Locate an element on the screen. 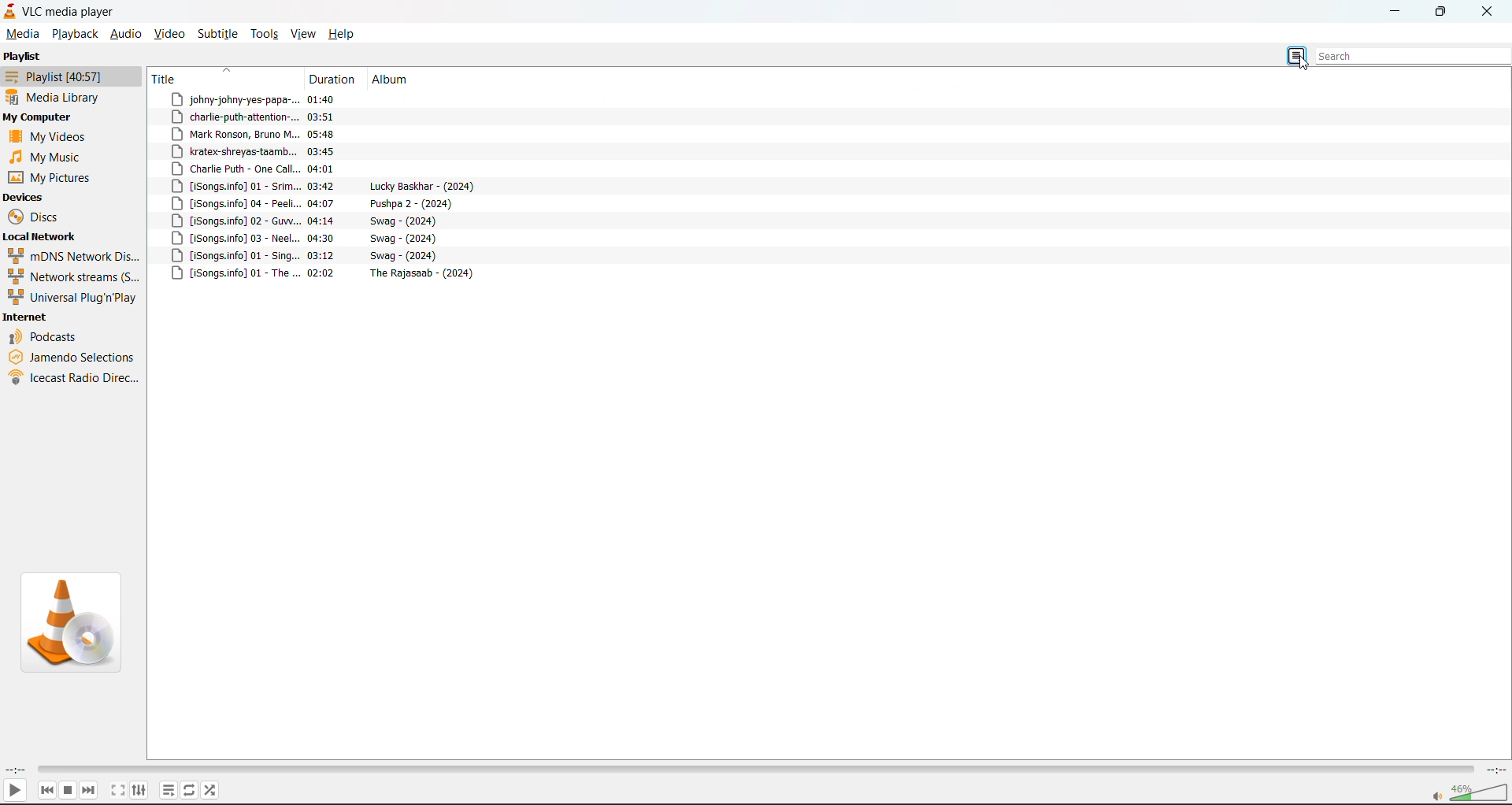 The image size is (1512, 805). jamendo selections is located at coordinates (72, 358).